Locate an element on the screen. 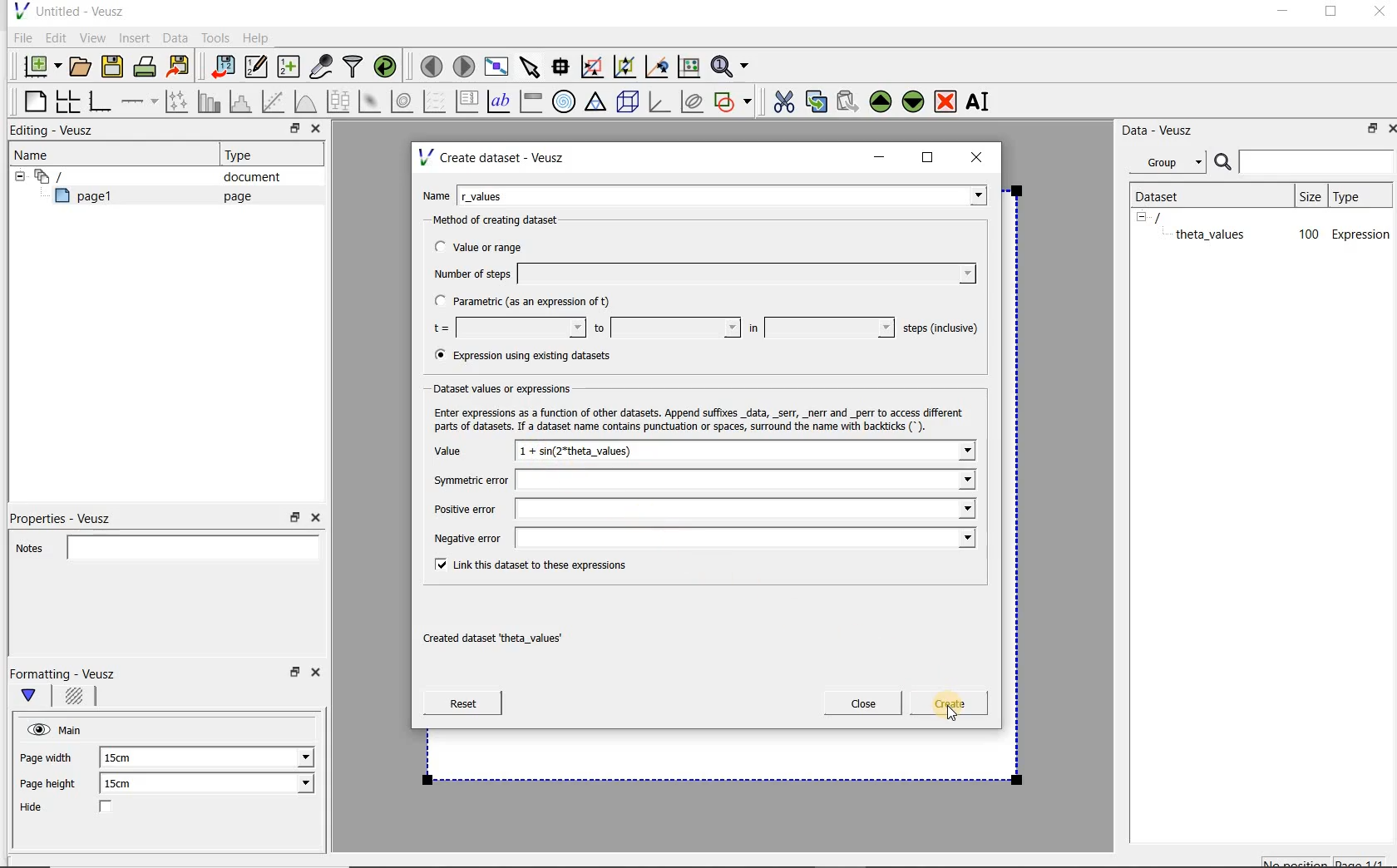 The height and width of the screenshot is (868, 1397). restore down is located at coordinates (295, 518).